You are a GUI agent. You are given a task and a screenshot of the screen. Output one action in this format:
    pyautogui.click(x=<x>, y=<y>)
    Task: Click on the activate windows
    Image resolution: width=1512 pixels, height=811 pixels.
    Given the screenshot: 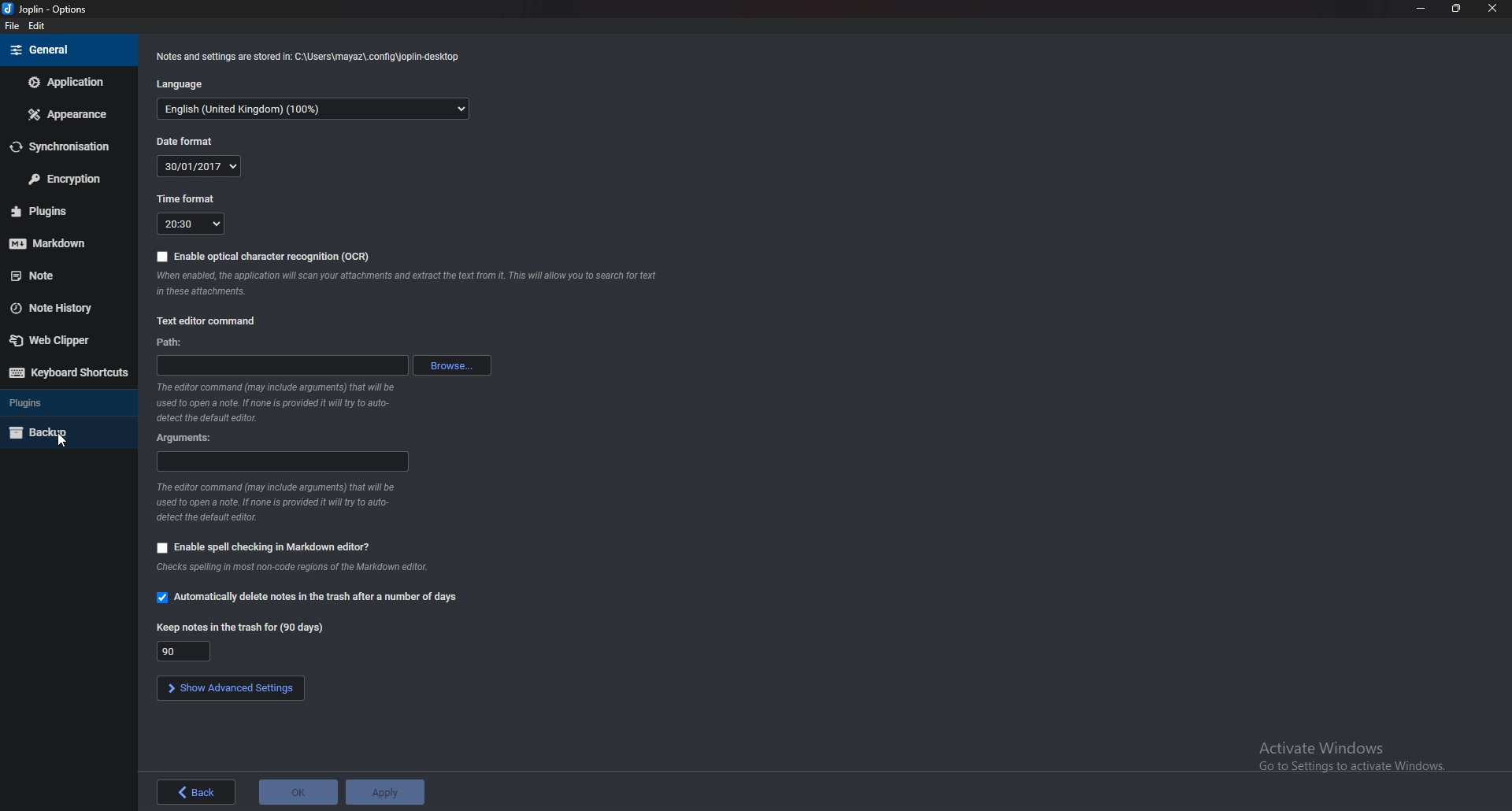 What is the action you would take?
    pyautogui.click(x=1360, y=753)
    